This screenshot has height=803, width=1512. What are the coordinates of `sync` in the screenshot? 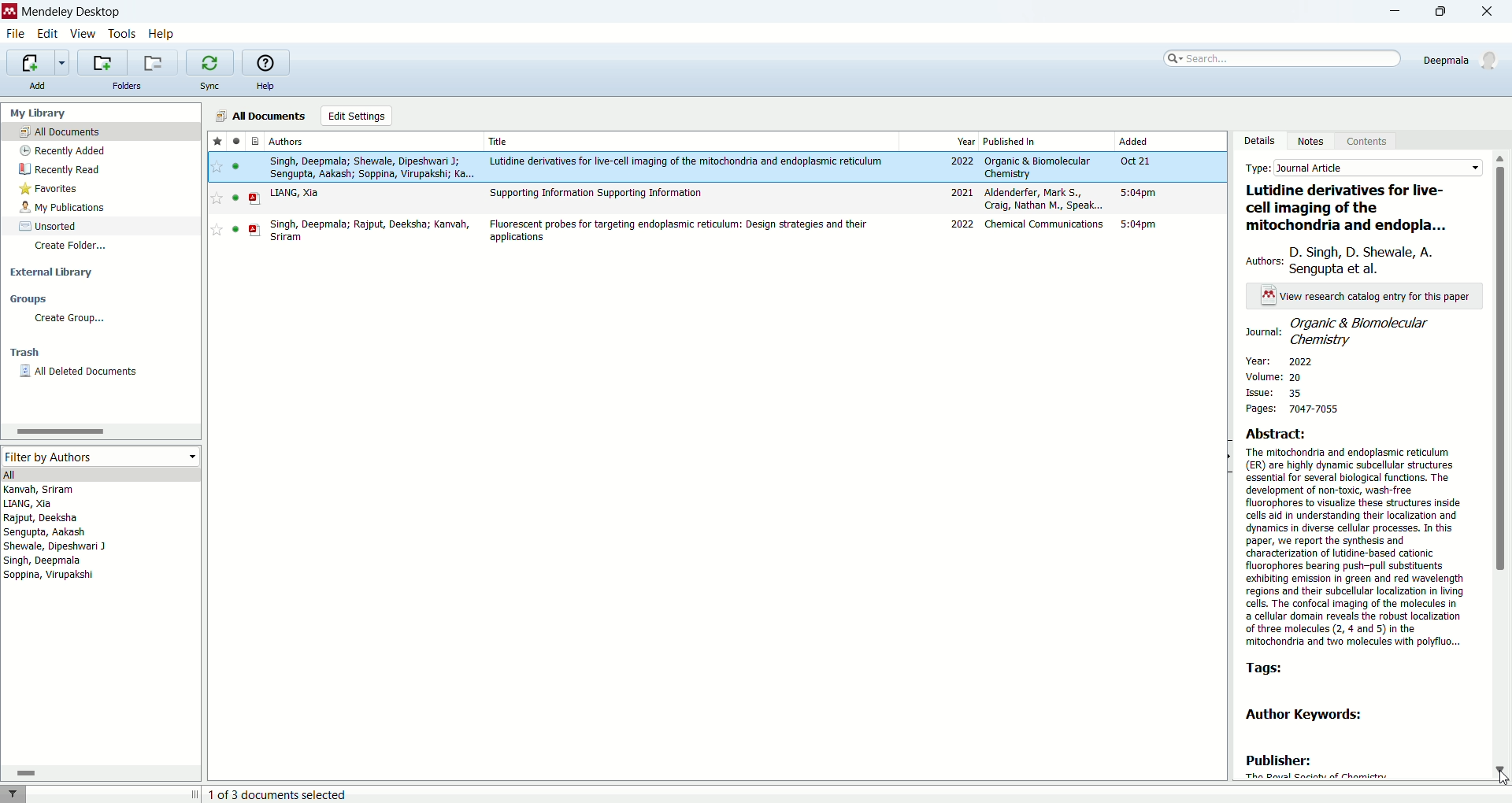 It's located at (209, 86).